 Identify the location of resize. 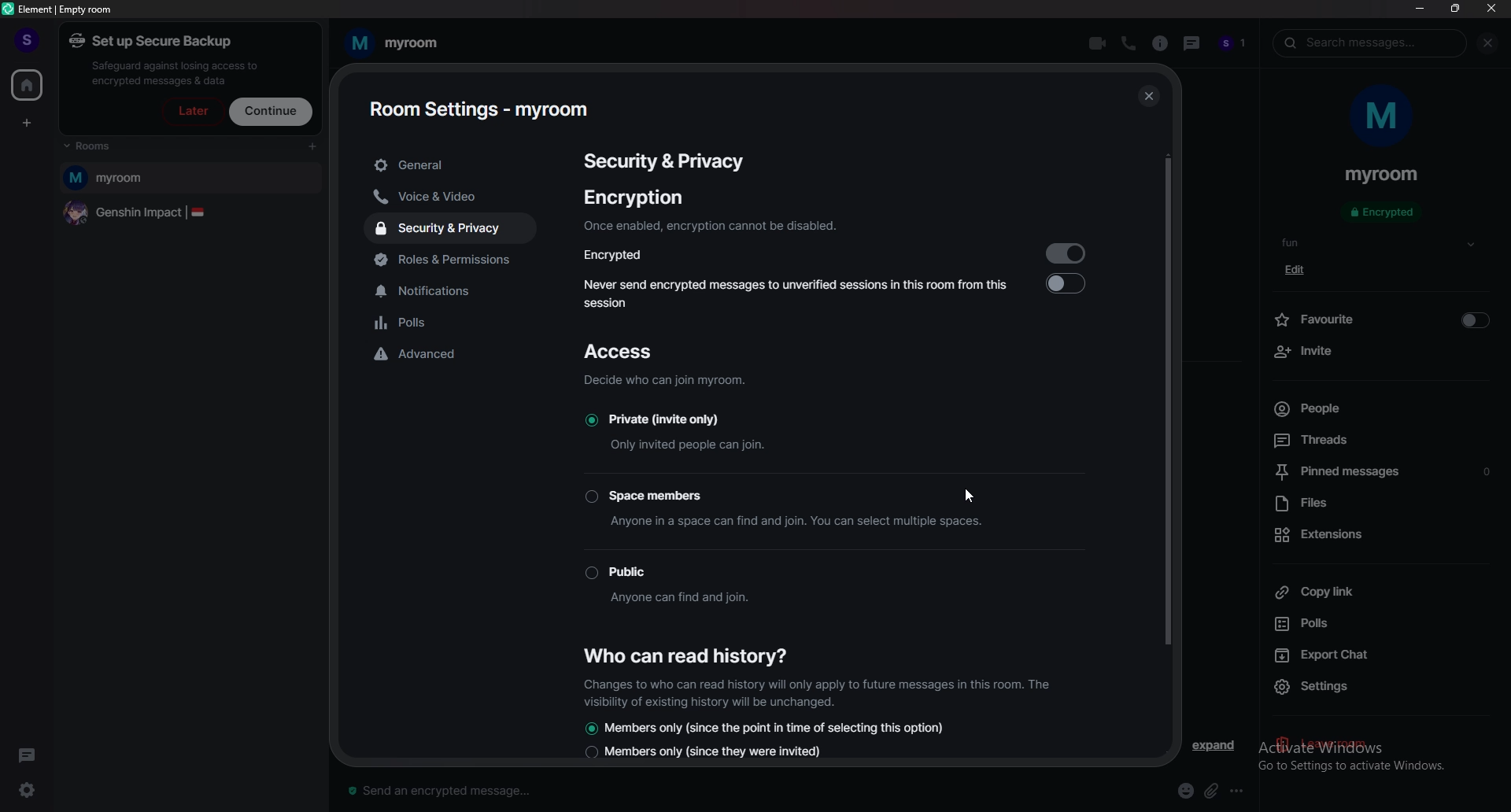
(1455, 9).